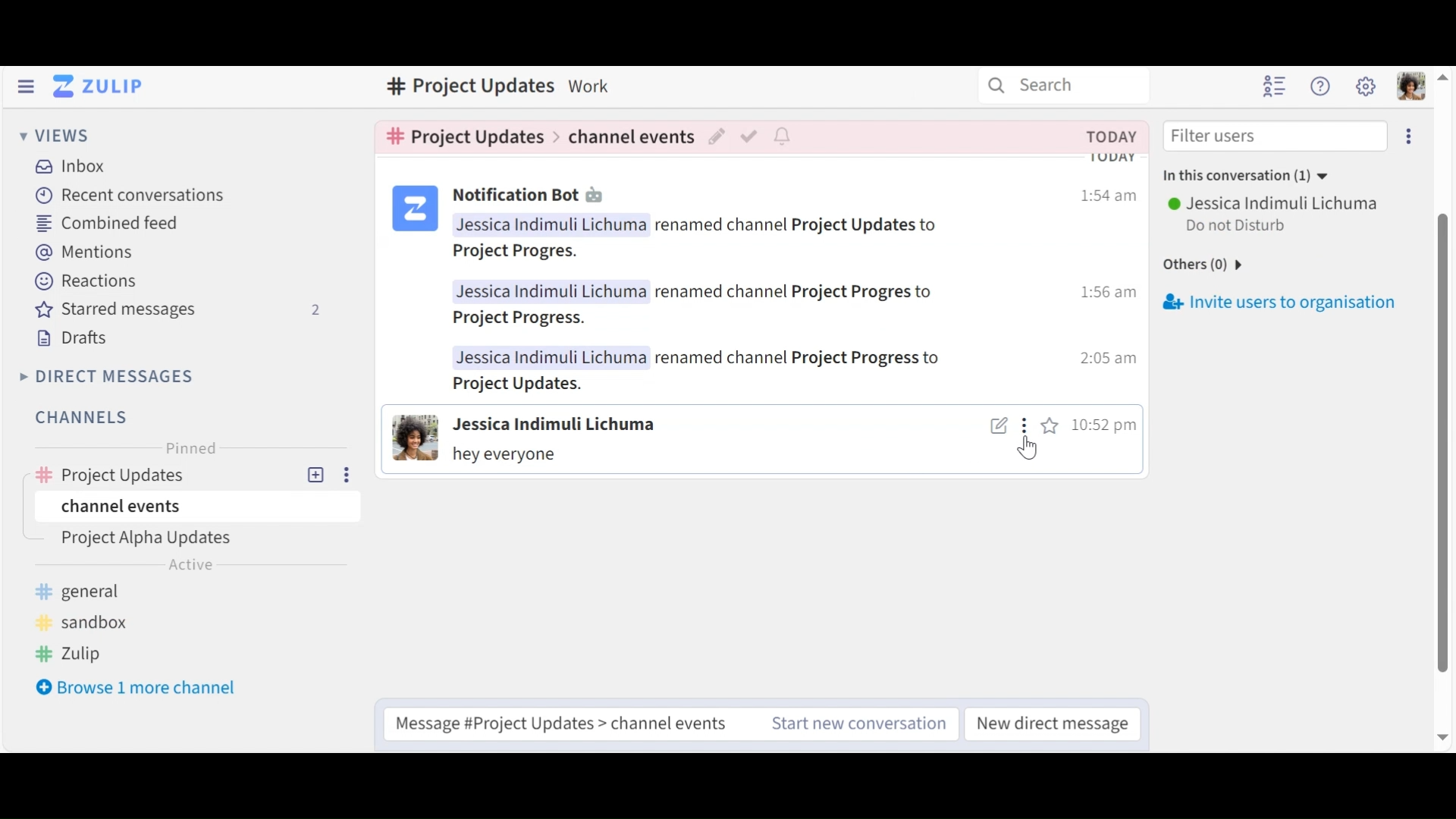 The height and width of the screenshot is (819, 1456). What do you see at coordinates (1236, 224) in the screenshot?
I see `Status` at bounding box center [1236, 224].